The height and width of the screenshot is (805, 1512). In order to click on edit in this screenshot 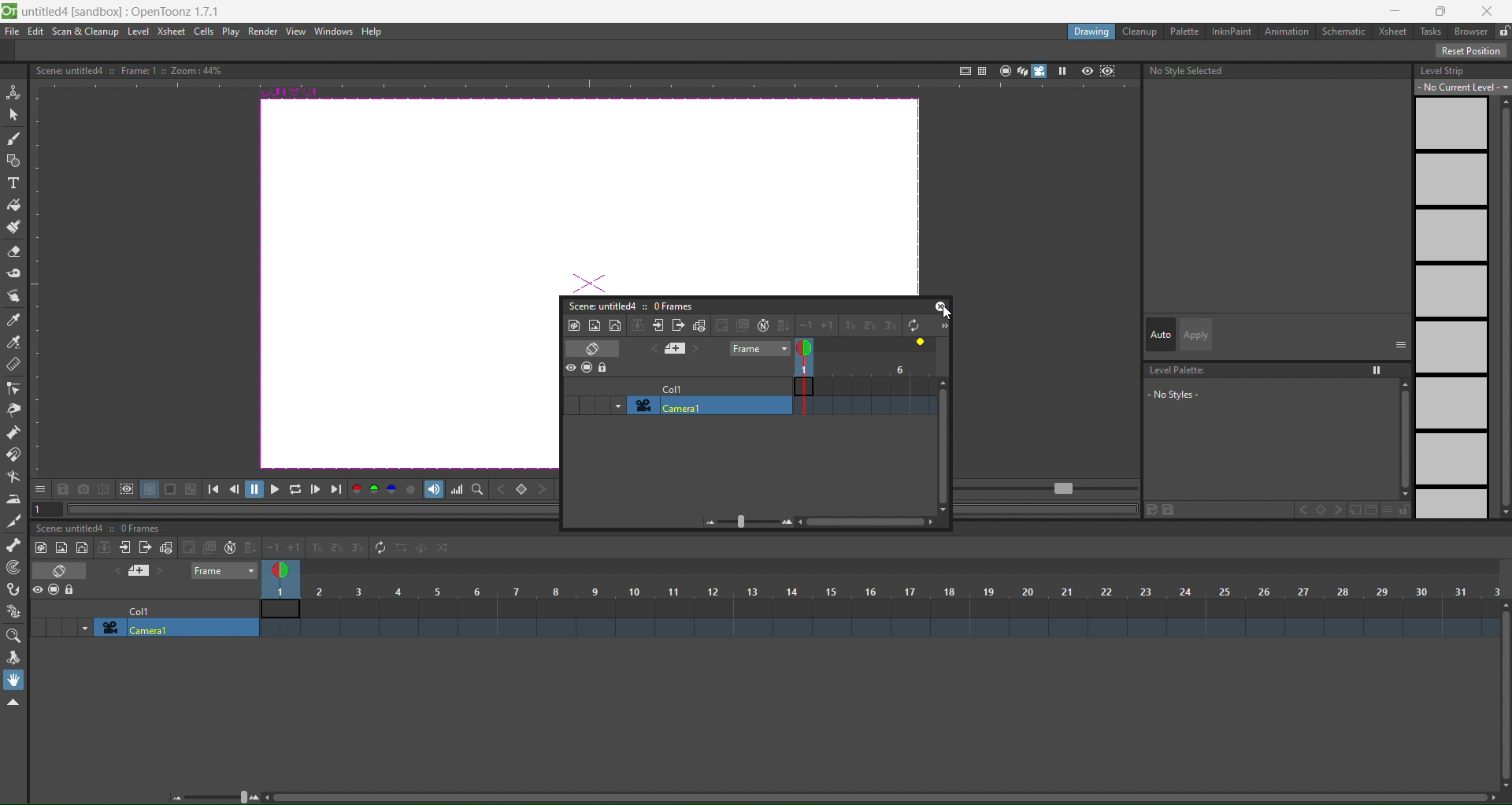, I will do `click(35, 32)`.